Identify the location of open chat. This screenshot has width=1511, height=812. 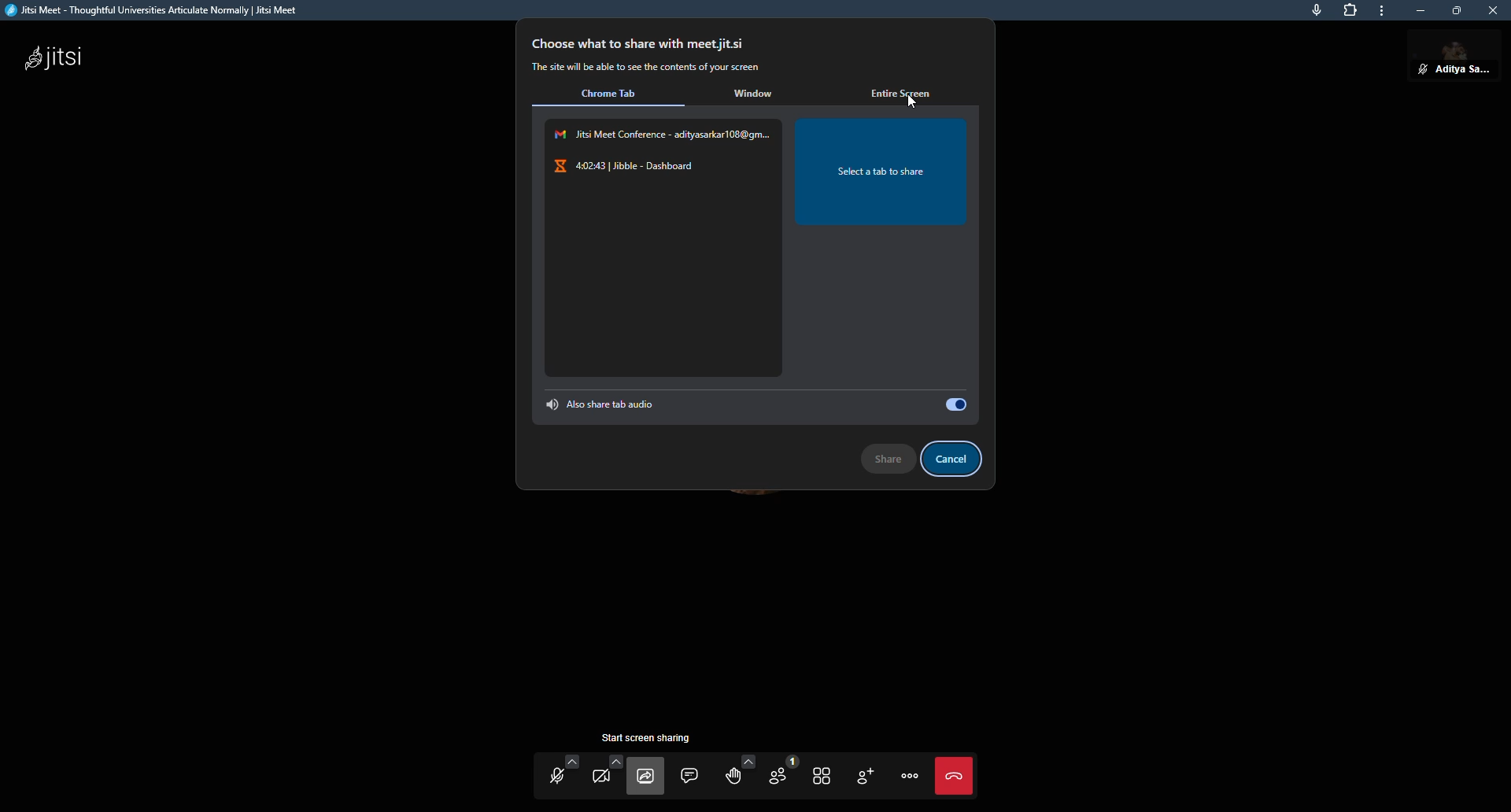
(693, 776).